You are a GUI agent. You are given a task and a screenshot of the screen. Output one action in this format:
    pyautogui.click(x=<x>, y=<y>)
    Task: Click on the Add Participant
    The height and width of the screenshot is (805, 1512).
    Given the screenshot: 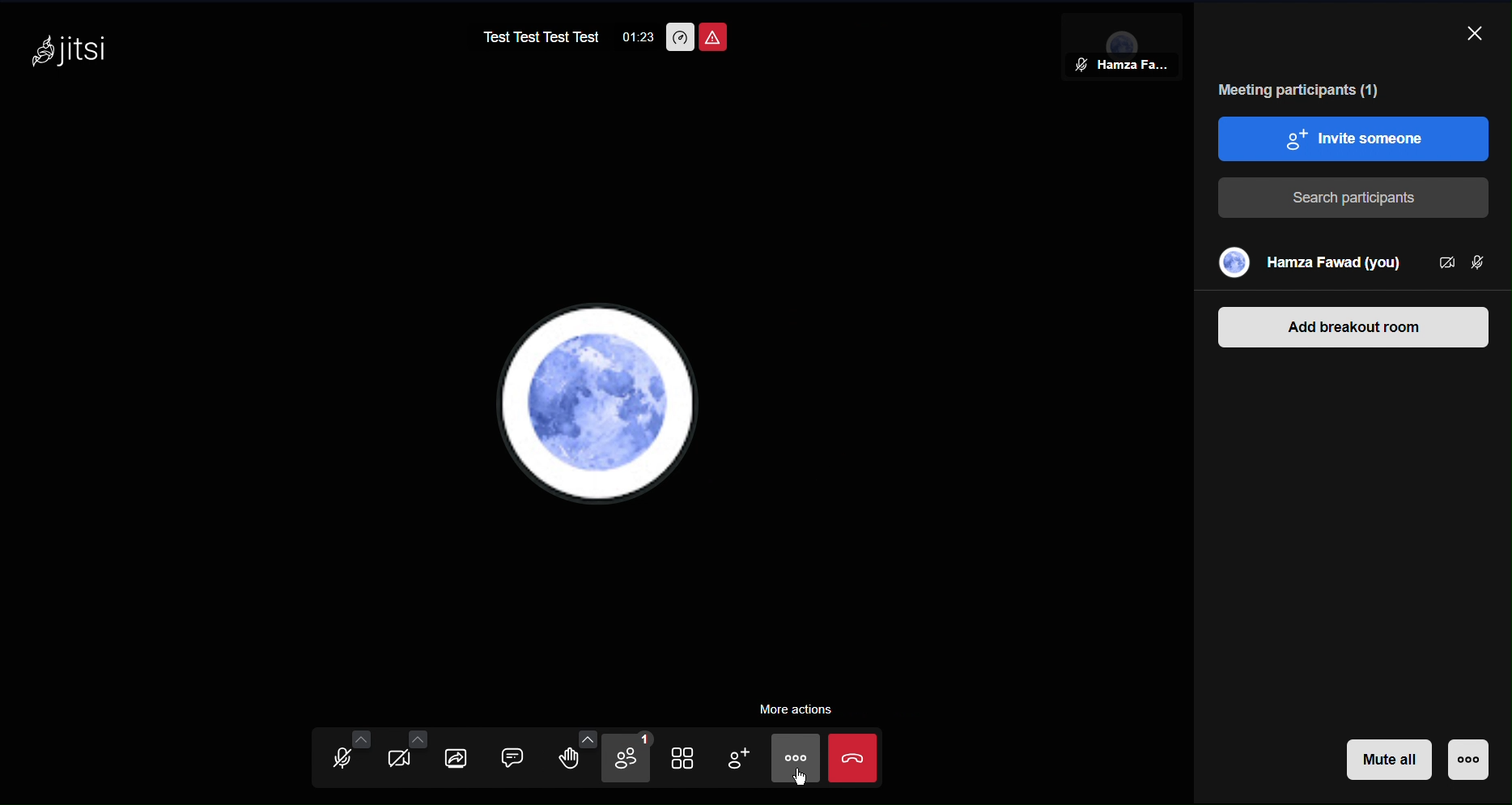 What is the action you would take?
    pyautogui.click(x=749, y=760)
    